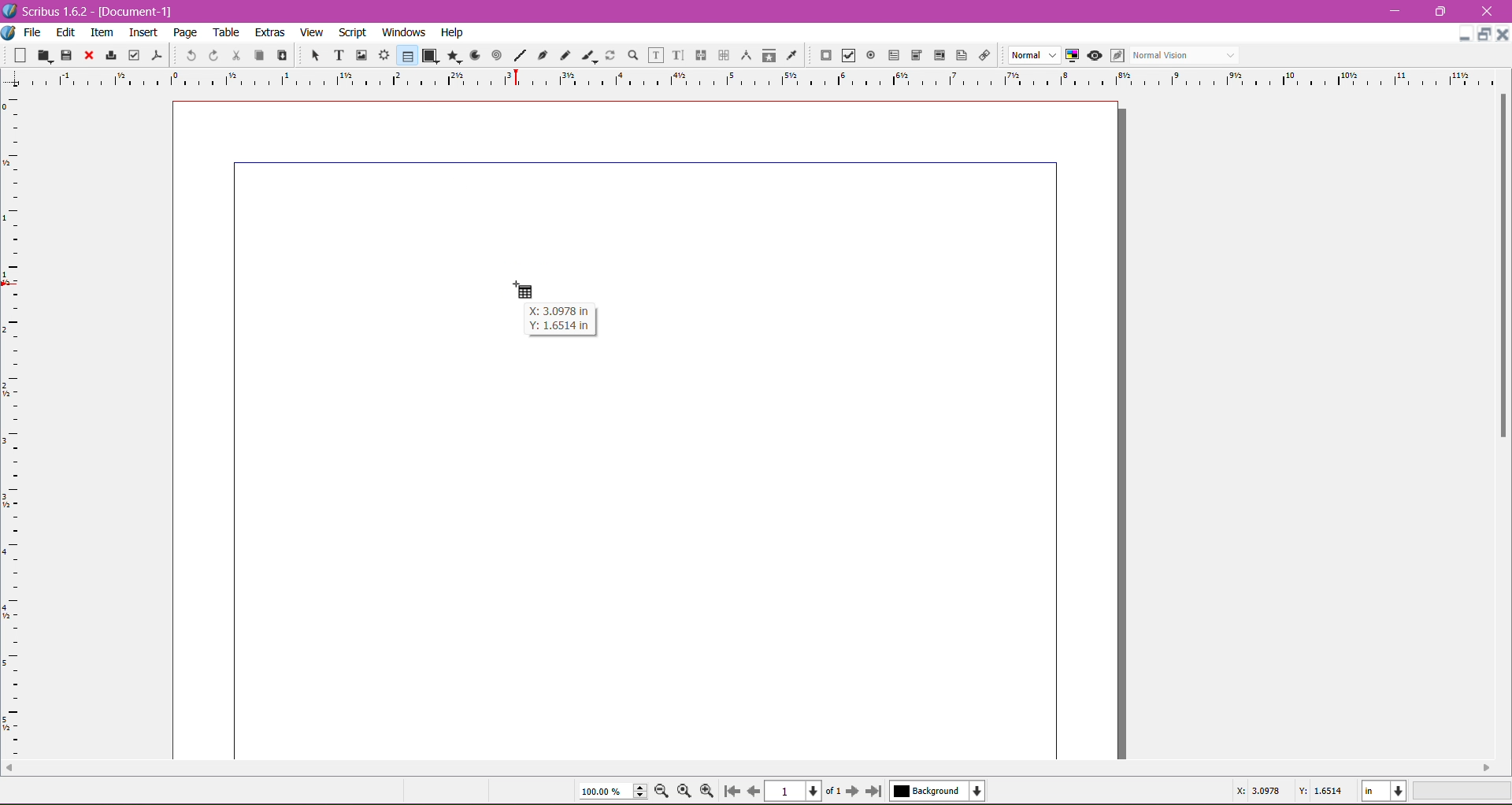 The width and height of the screenshot is (1512, 805). Describe the element at coordinates (1116, 55) in the screenshot. I see `Edit in Preview mode` at that location.